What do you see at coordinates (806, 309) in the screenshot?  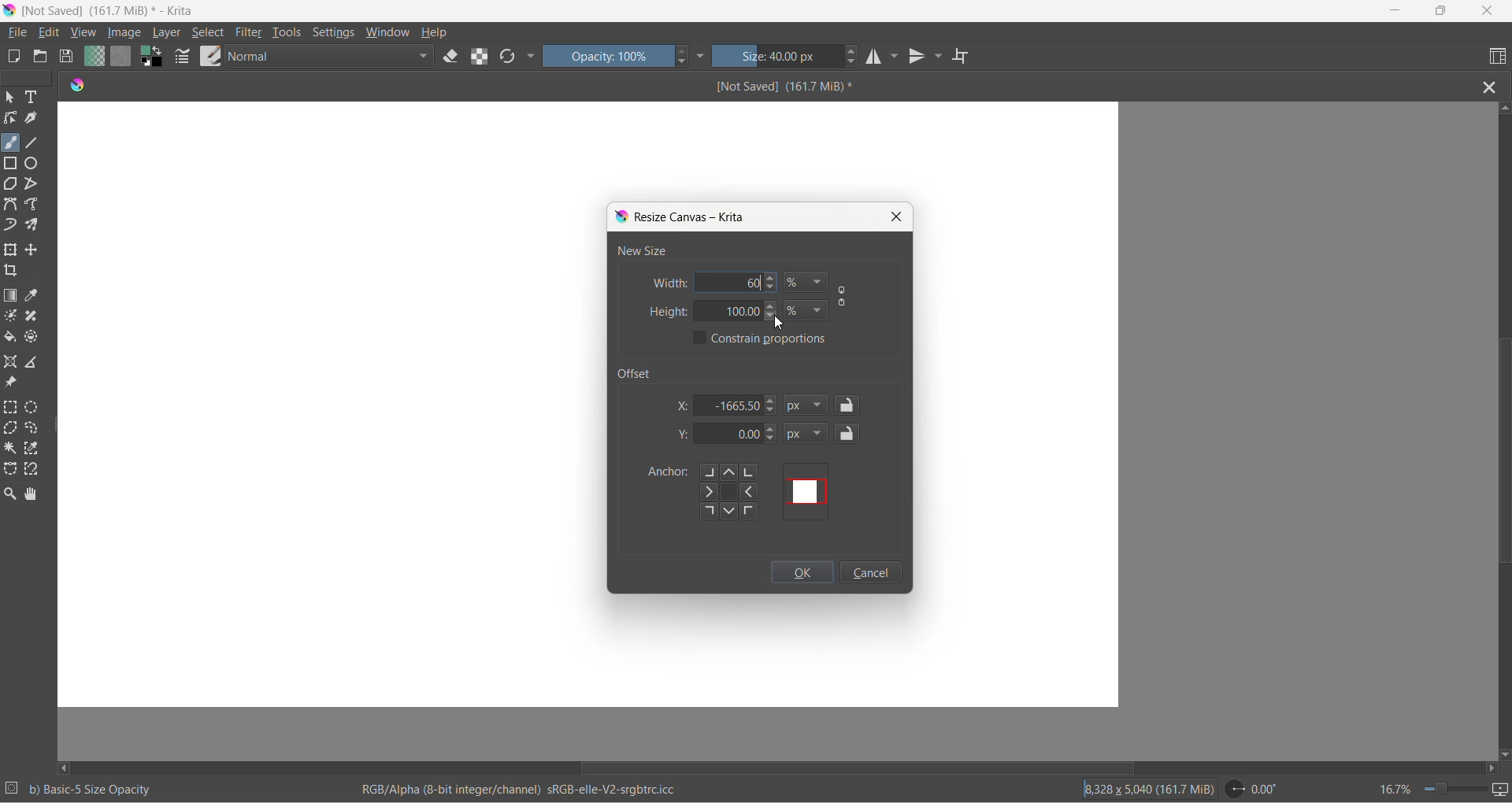 I see `height value type` at bounding box center [806, 309].